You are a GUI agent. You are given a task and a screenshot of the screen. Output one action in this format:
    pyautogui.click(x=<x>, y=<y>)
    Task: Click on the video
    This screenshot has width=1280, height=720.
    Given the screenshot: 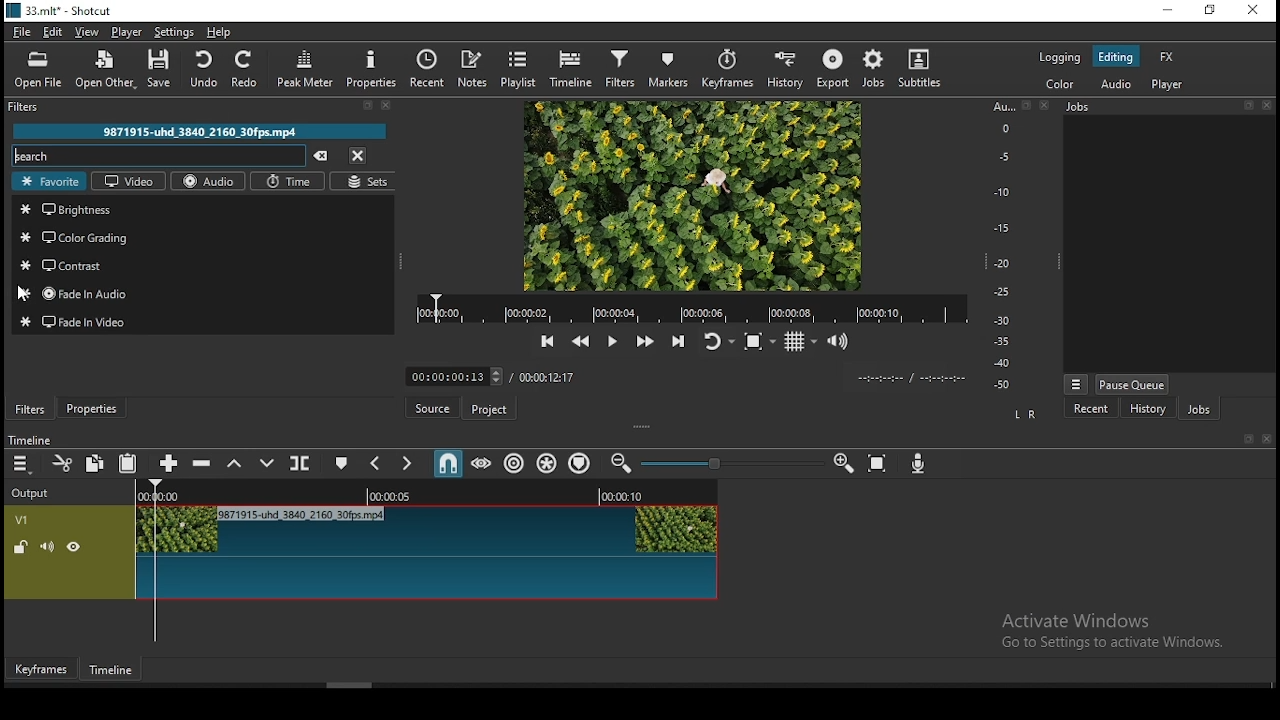 What is the action you would take?
    pyautogui.click(x=130, y=181)
    